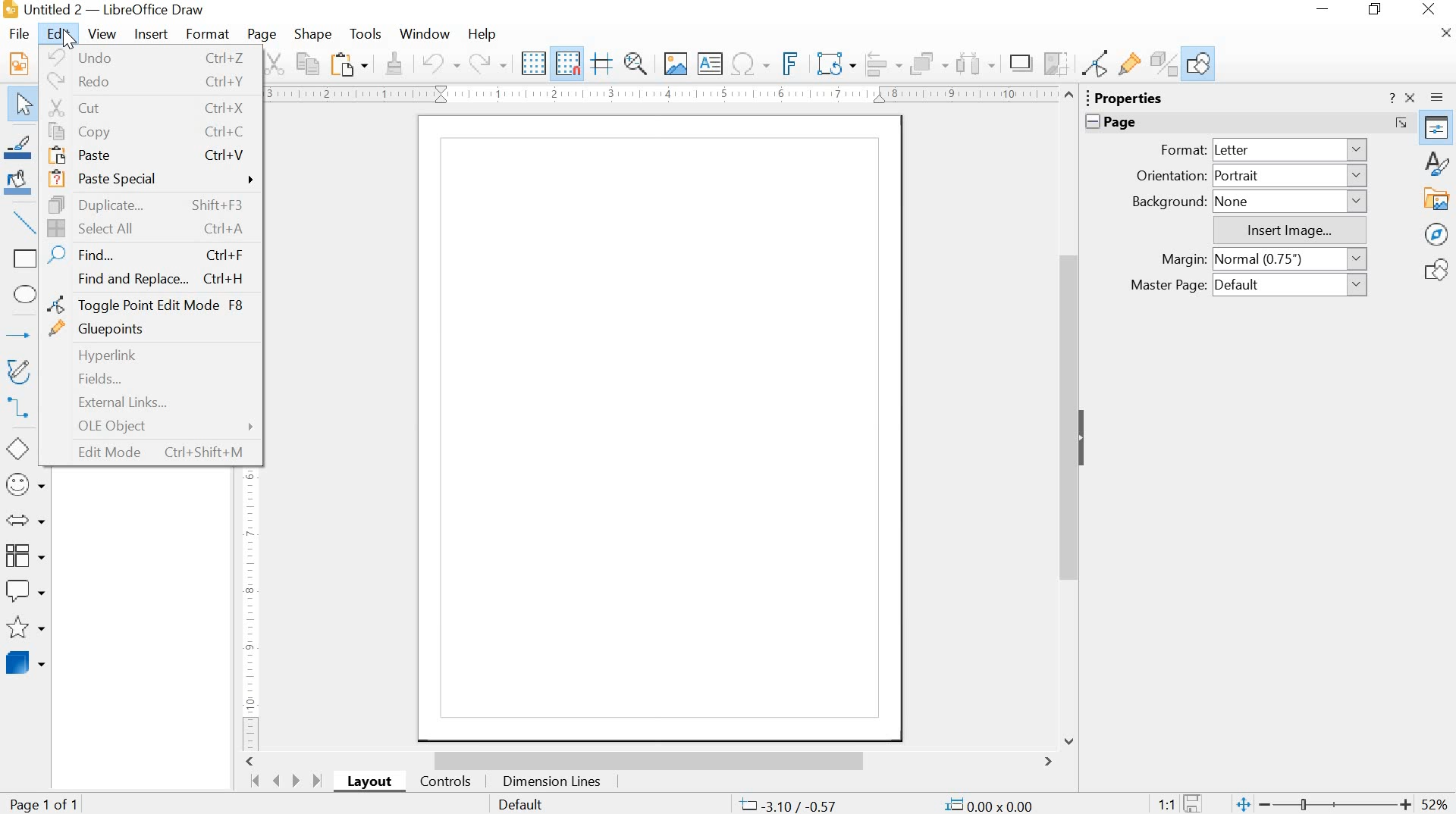 The height and width of the screenshot is (814, 1456). What do you see at coordinates (154, 83) in the screenshot?
I see `redo` at bounding box center [154, 83].